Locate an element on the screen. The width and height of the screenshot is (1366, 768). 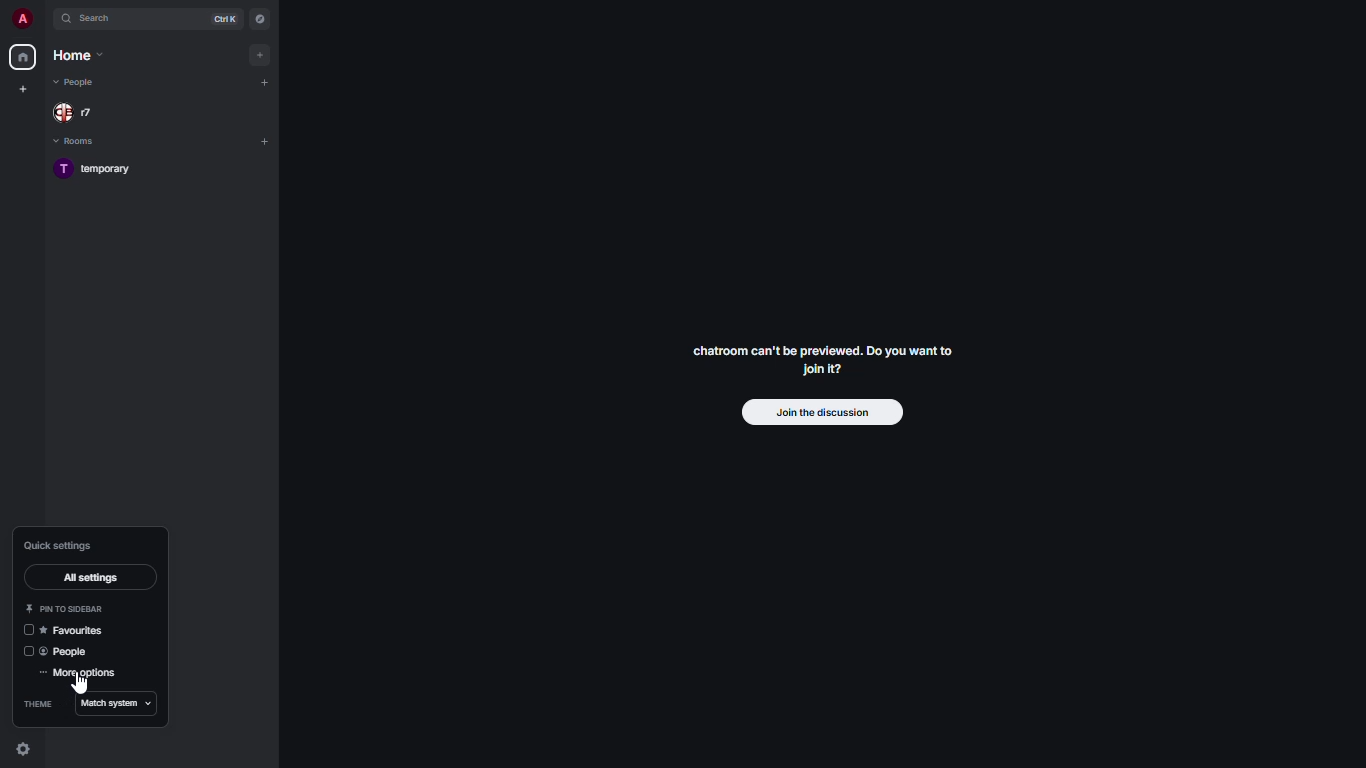
all settings is located at coordinates (90, 576).